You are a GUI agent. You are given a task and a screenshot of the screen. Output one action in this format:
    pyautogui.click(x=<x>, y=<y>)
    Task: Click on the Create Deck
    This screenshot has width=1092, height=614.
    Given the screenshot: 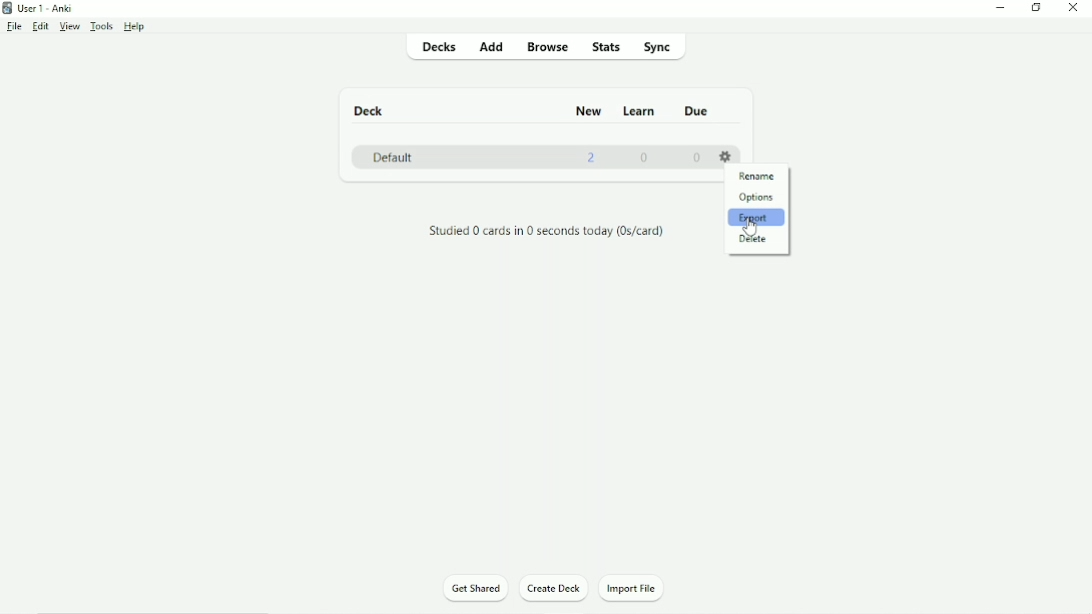 What is the action you would take?
    pyautogui.click(x=553, y=587)
    